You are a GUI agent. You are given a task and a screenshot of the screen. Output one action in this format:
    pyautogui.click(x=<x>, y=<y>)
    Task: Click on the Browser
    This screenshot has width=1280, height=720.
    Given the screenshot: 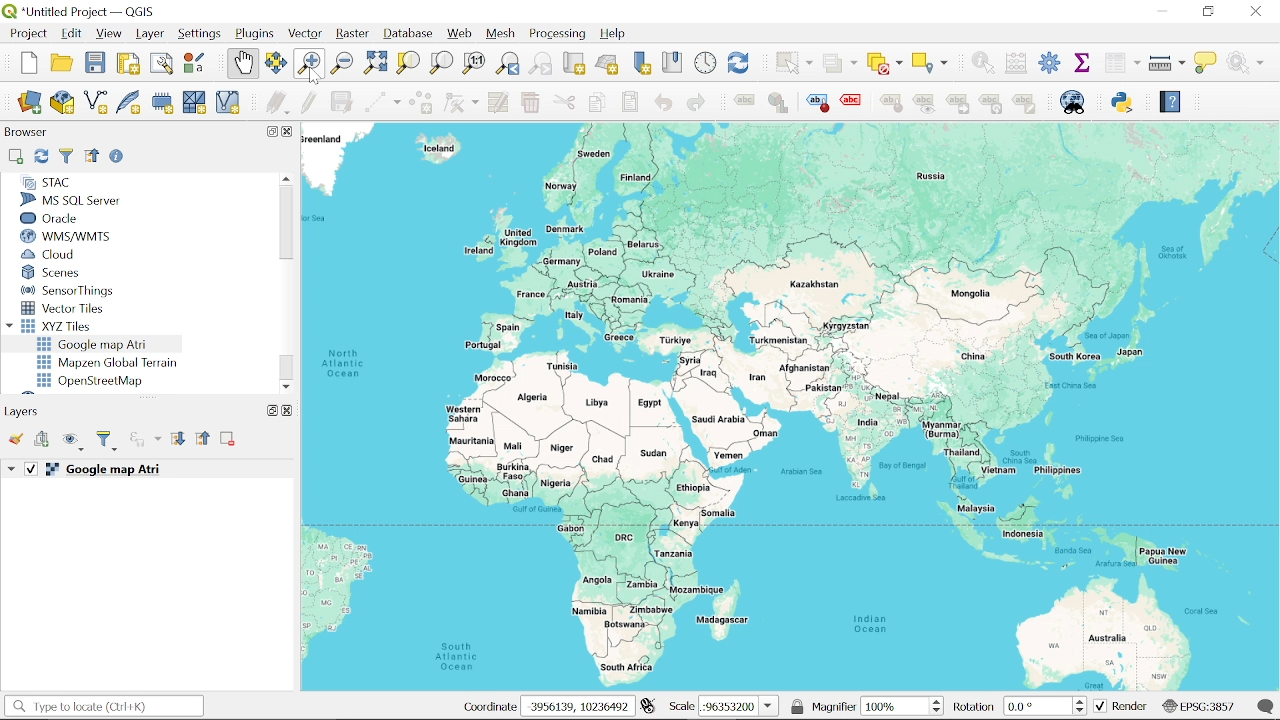 What is the action you would take?
    pyautogui.click(x=26, y=134)
    